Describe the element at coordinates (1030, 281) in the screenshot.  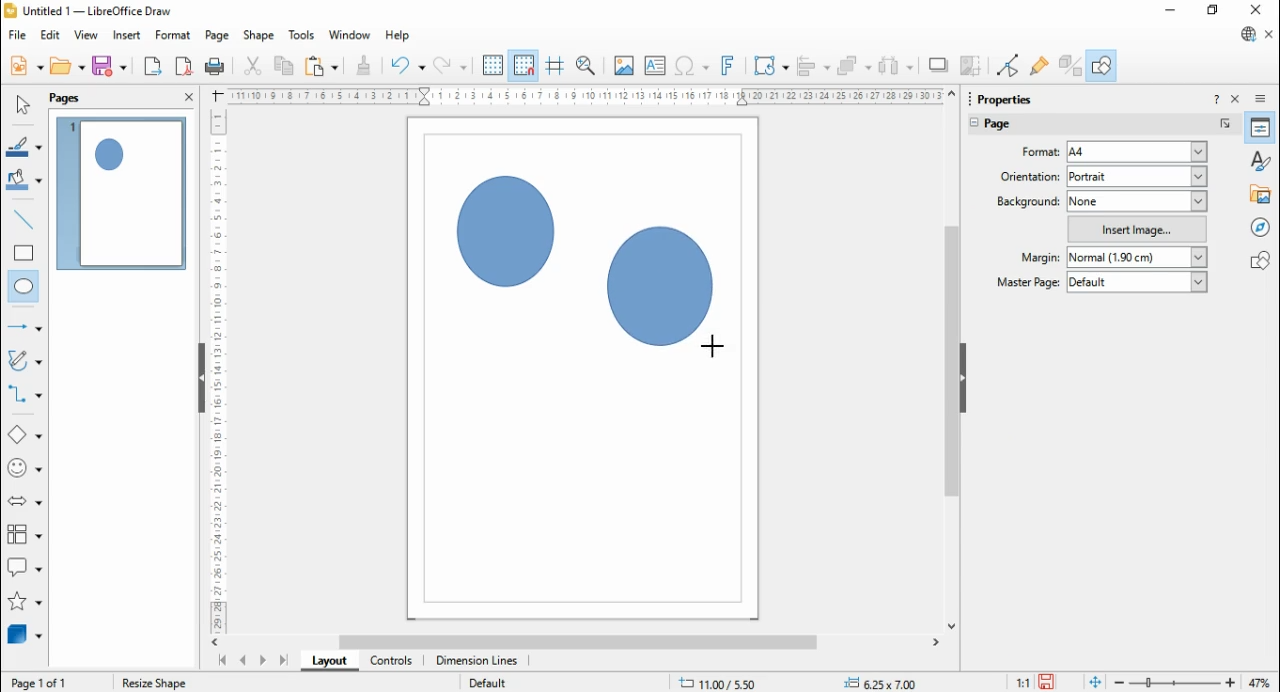
I see `master page` at that location.